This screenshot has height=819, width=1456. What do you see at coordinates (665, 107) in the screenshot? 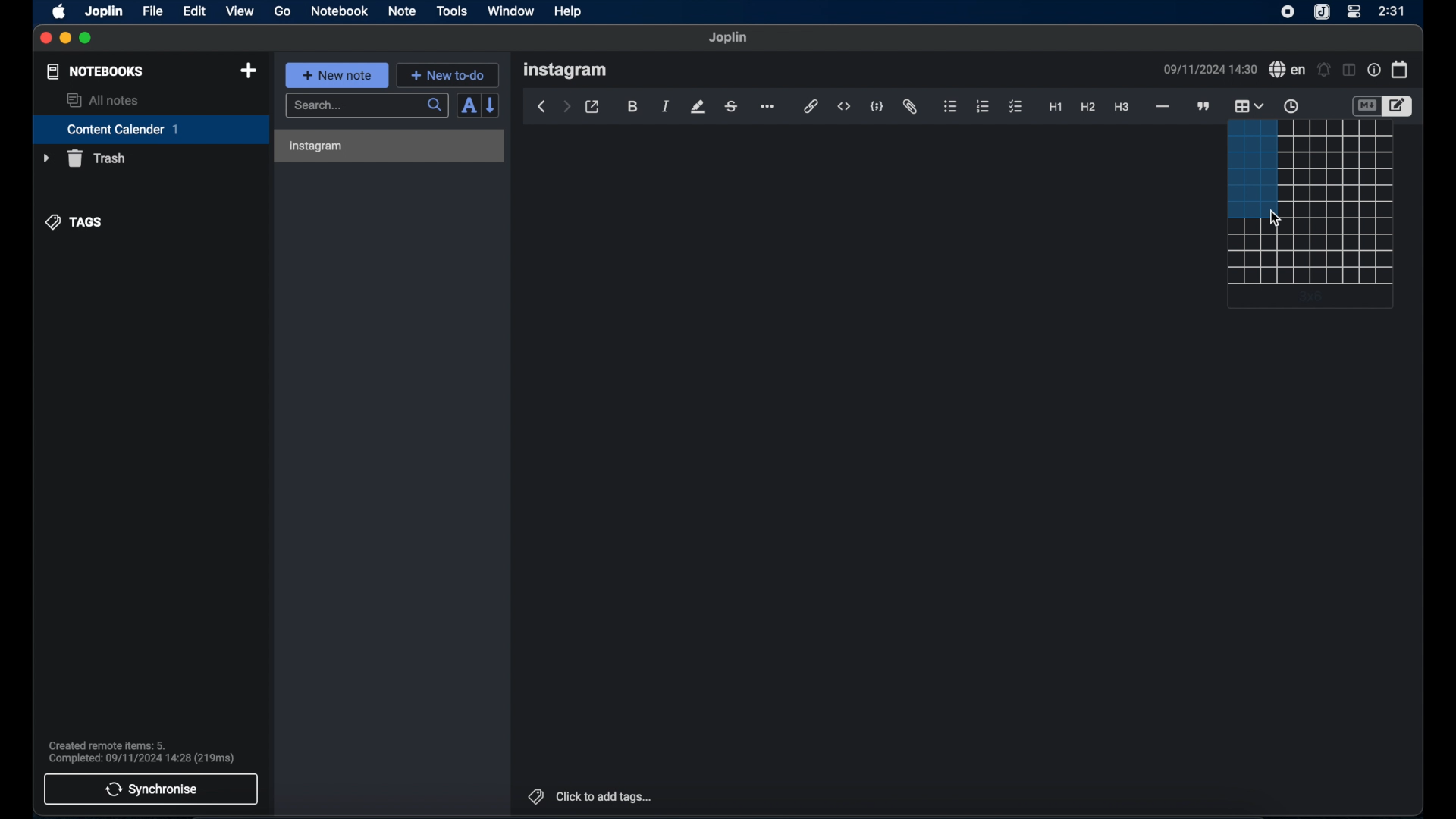
I see `italic` at bounding box center [665, 107].